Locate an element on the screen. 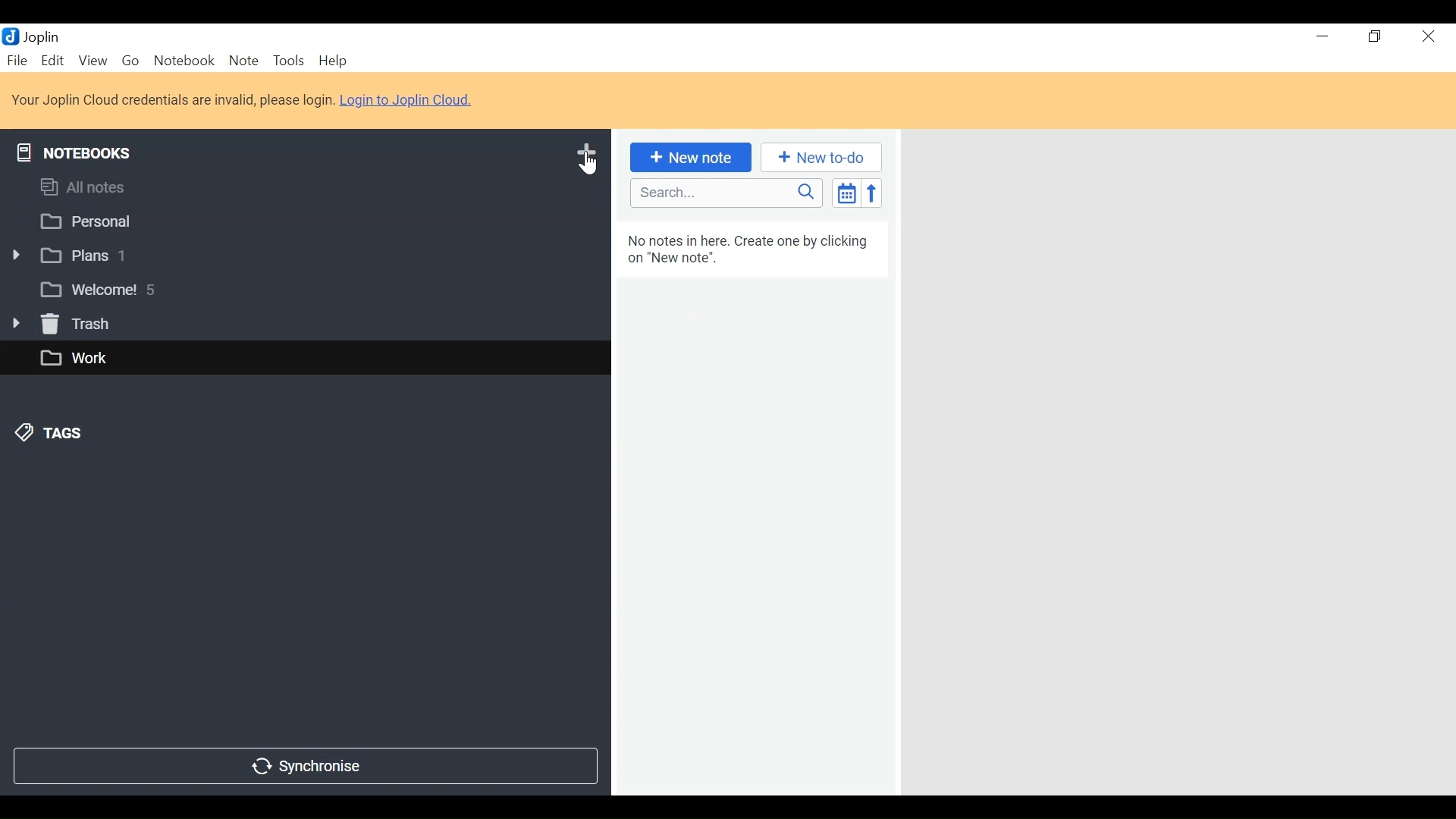 The image size is (1456, 819). Notebook is located at coordinates (187, 60).